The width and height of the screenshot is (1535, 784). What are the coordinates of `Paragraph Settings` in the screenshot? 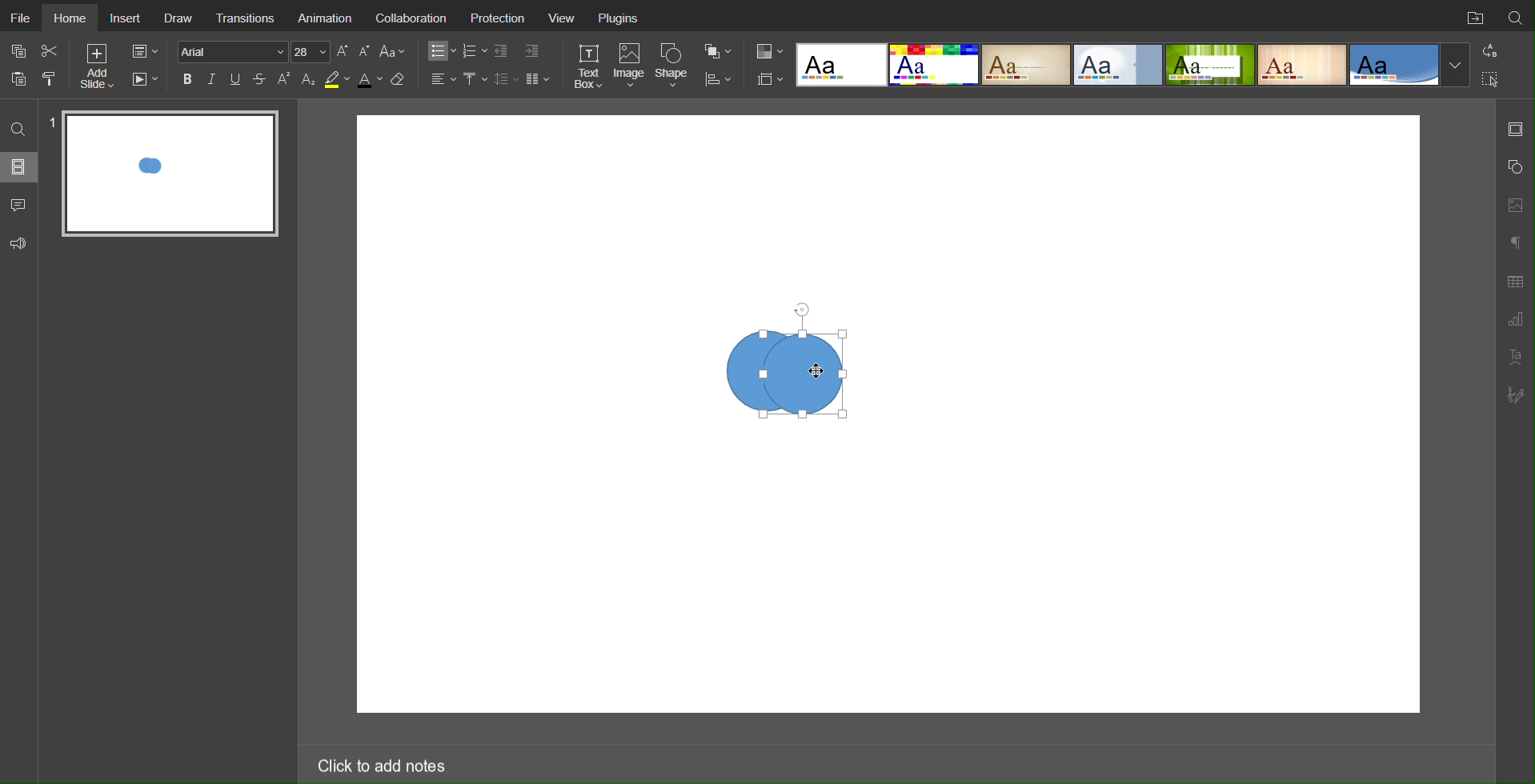 It's located at (1515, 320).